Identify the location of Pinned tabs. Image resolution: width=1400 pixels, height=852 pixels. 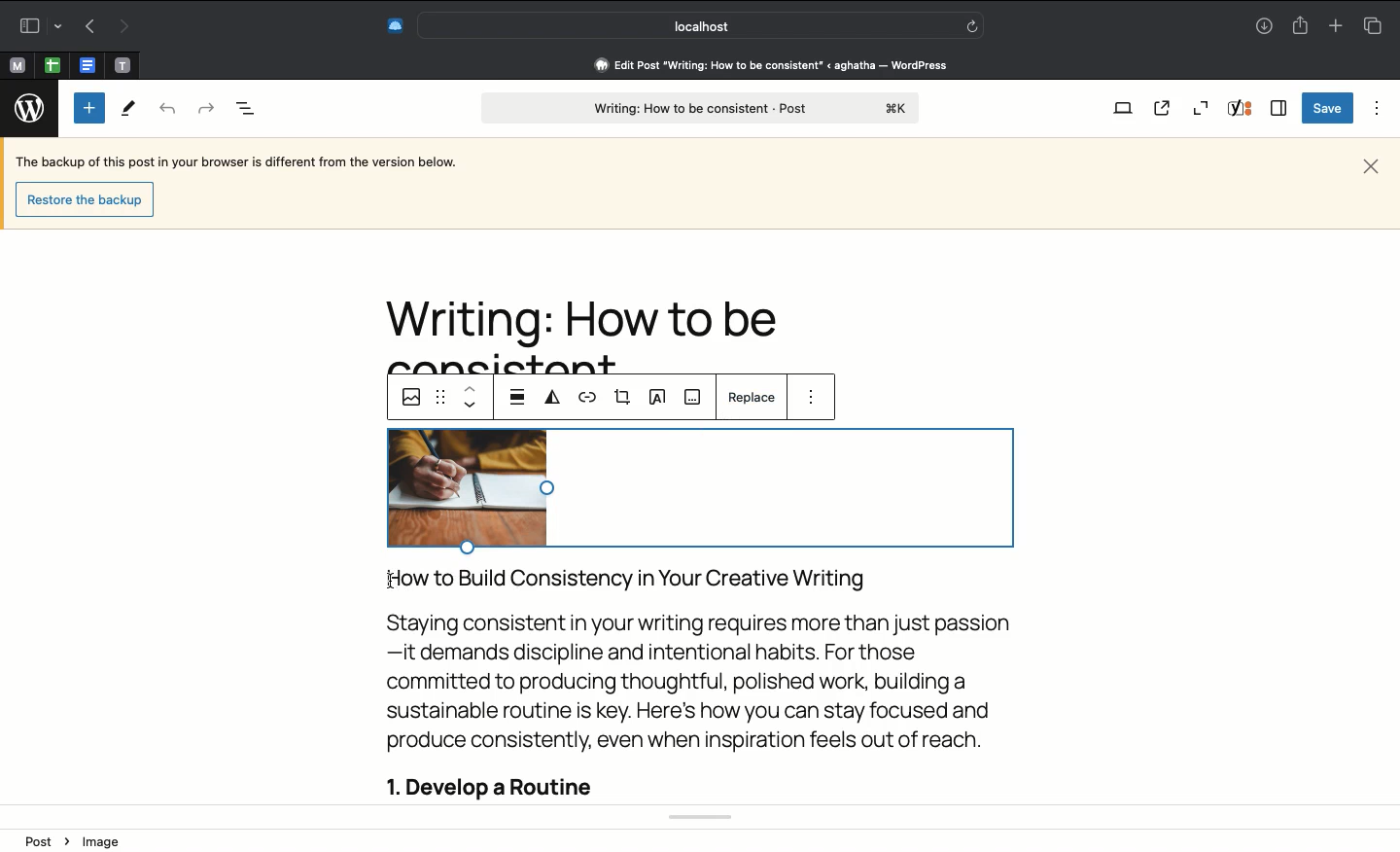
(51, 64).